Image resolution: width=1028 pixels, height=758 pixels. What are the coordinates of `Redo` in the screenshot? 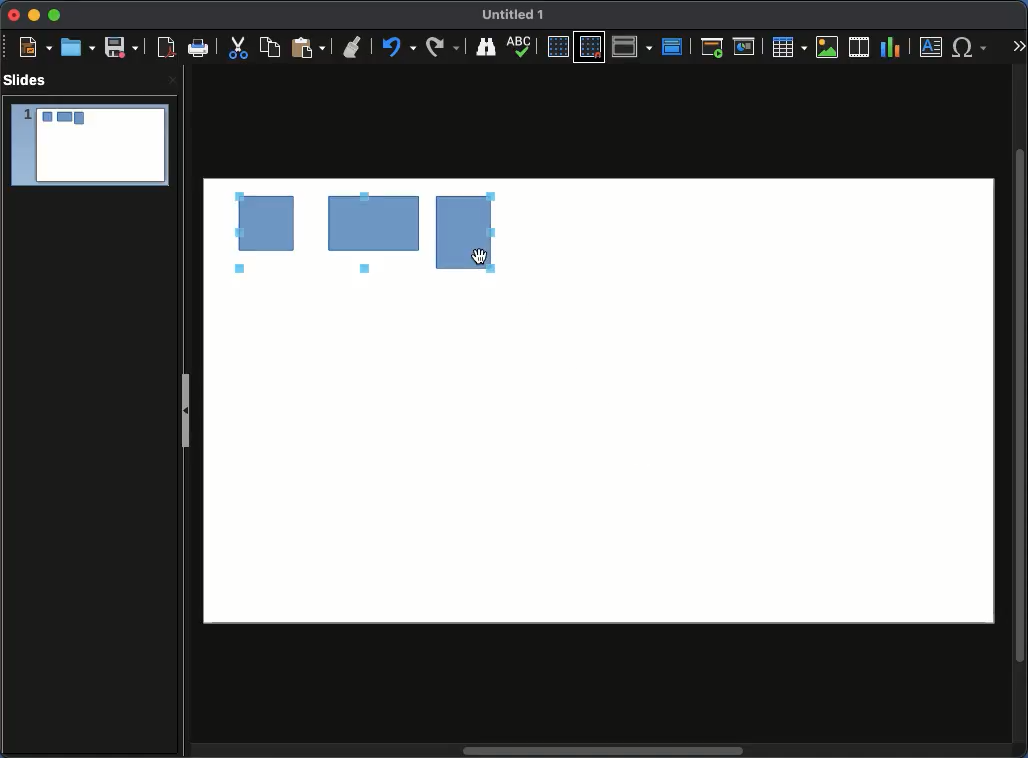 It's located at (396, 47).